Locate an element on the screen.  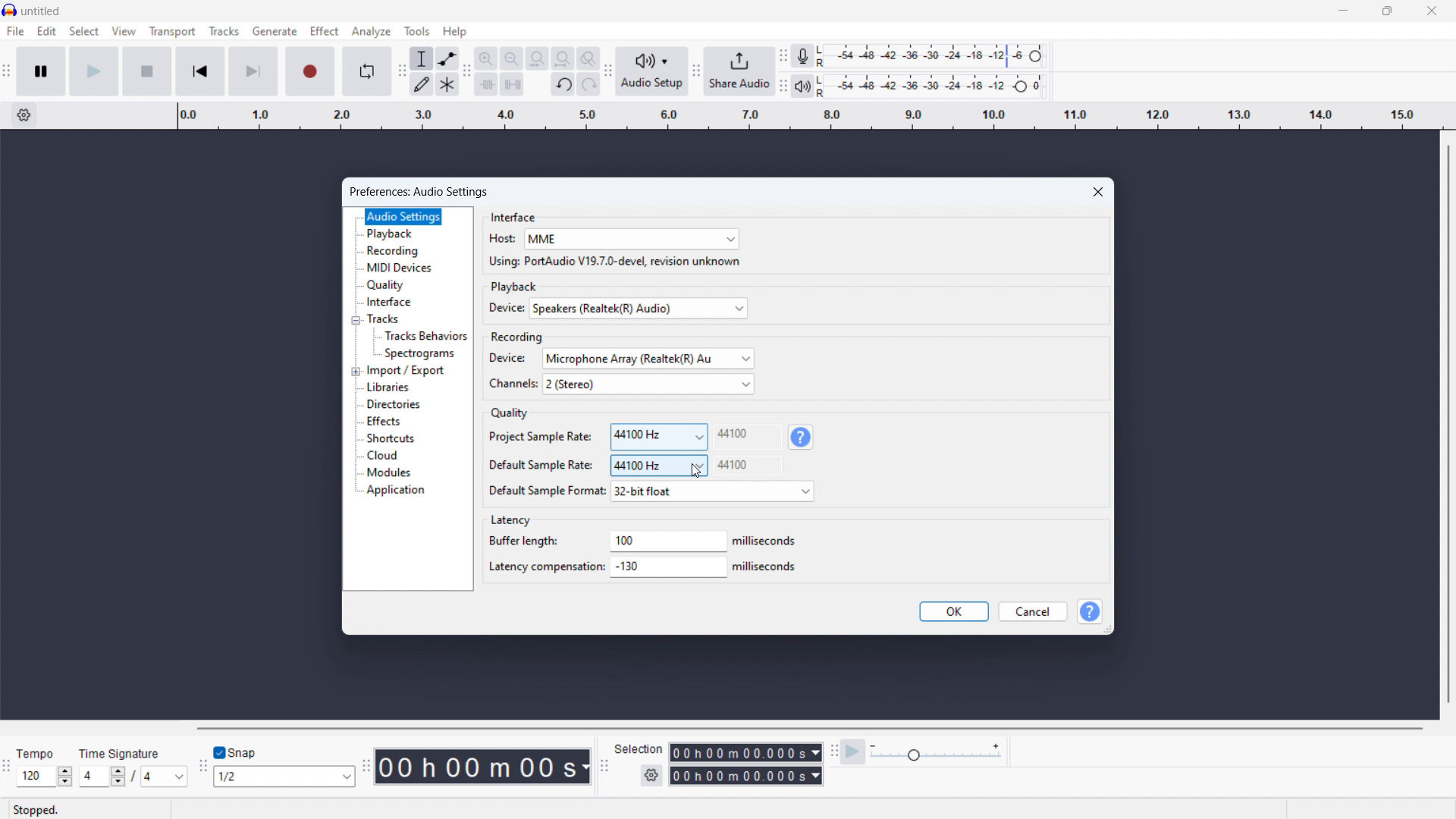
playback device is located at coordinates (639, 308).